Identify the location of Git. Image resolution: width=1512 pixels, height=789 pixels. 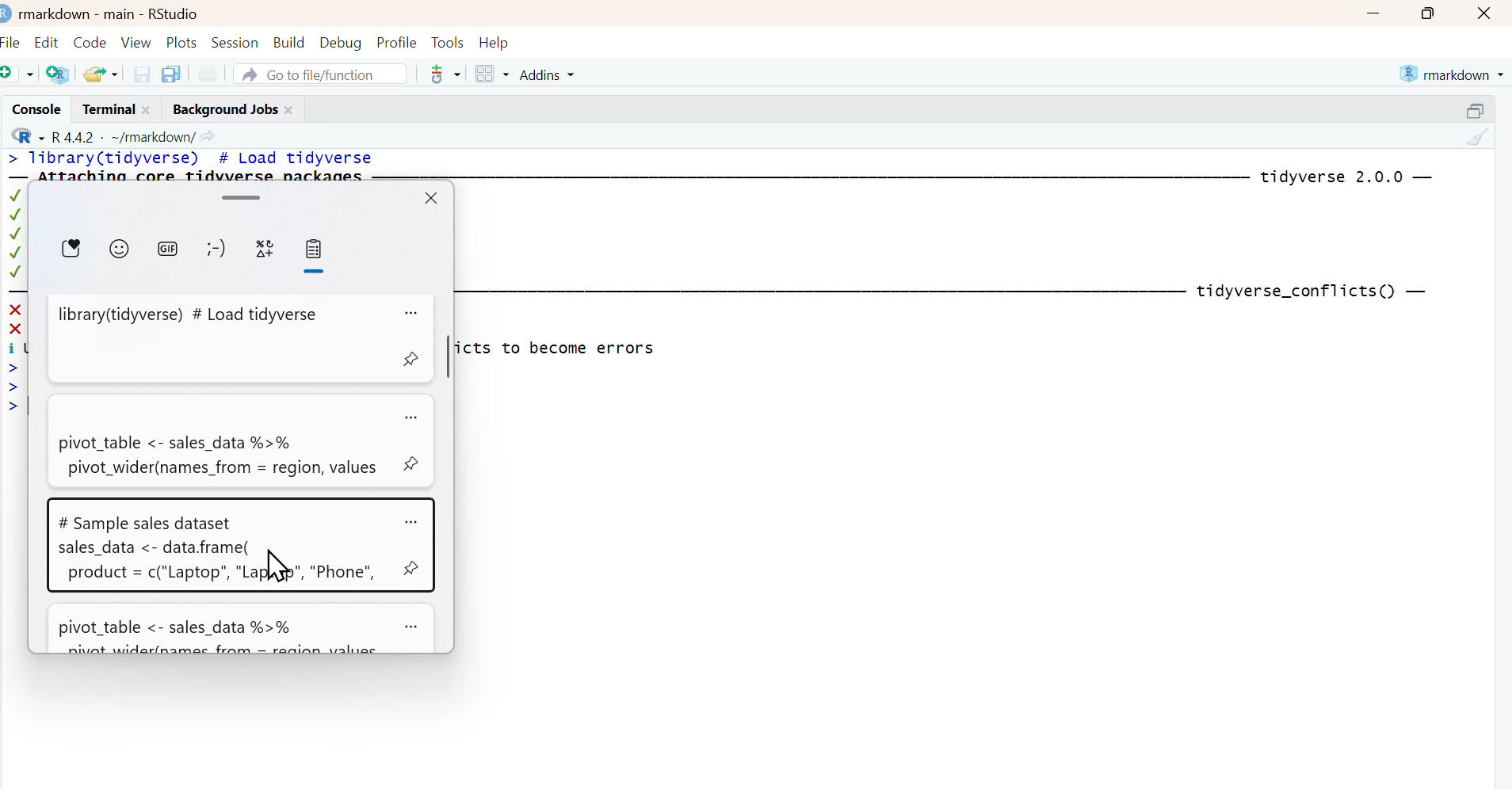
(444, 75).